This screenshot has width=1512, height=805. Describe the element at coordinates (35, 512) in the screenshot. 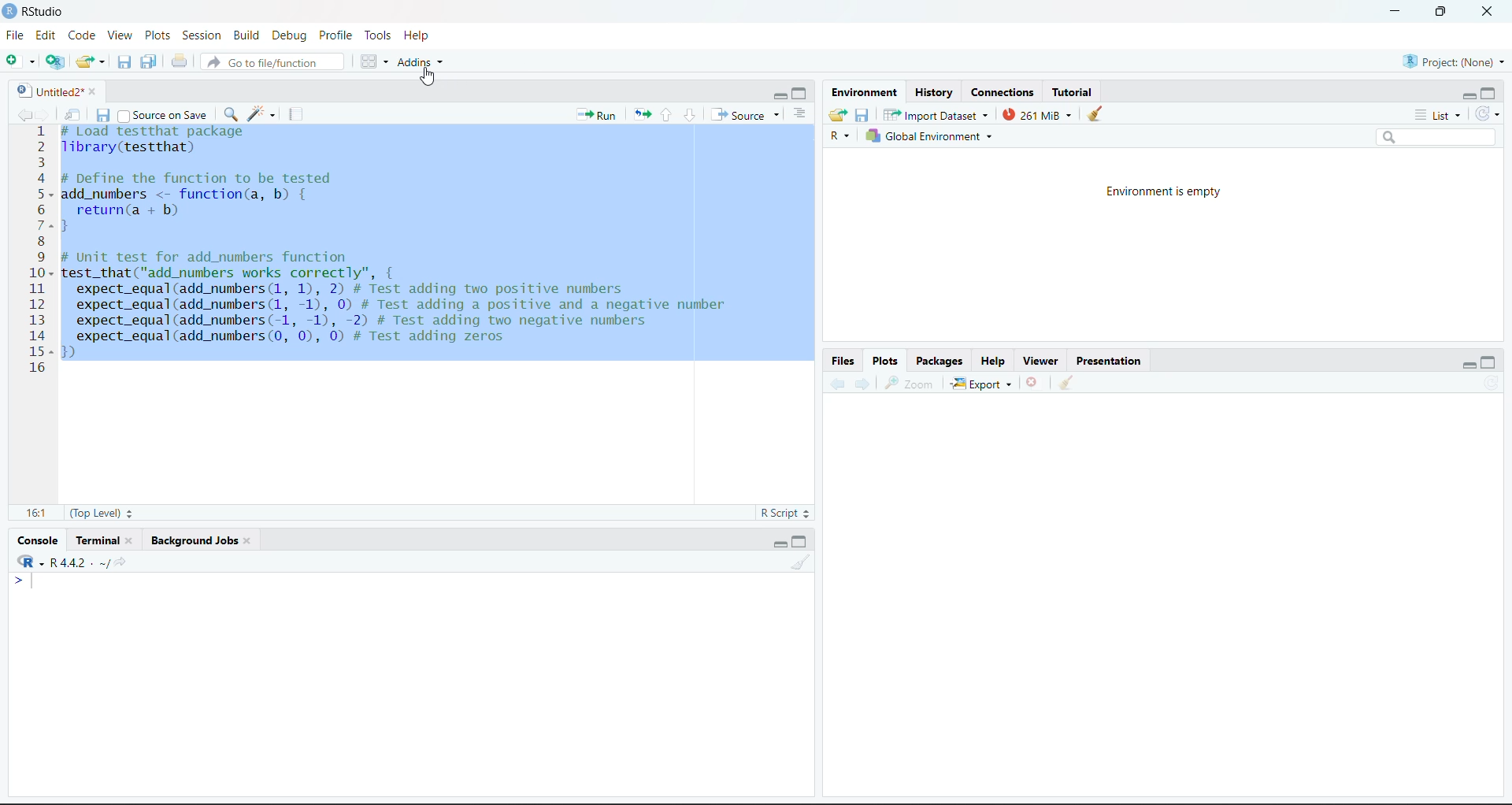

I see `16:1` at that location.